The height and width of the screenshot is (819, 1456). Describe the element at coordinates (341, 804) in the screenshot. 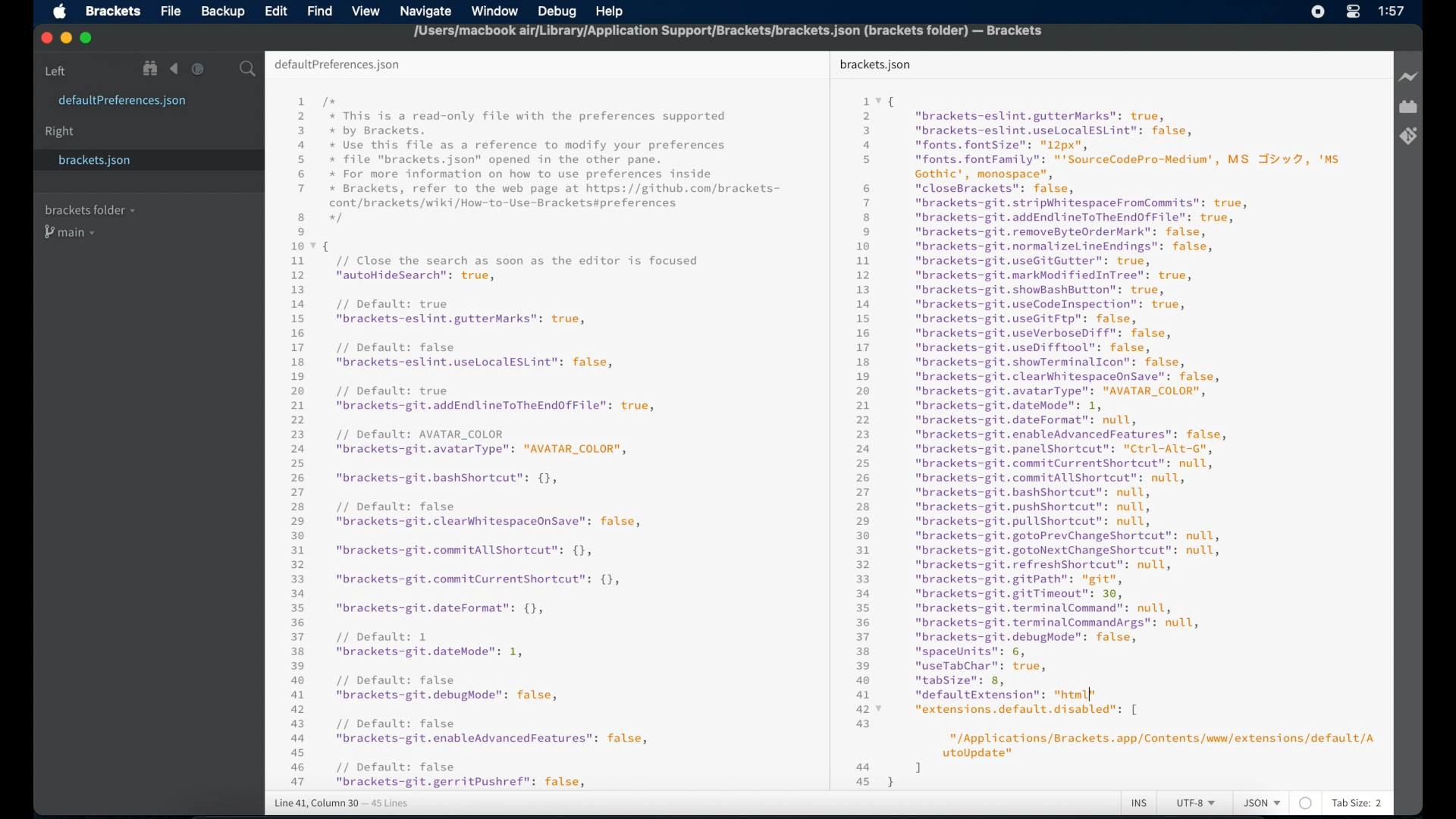

I see `line 41, column 30 - 45 lines` at that location.